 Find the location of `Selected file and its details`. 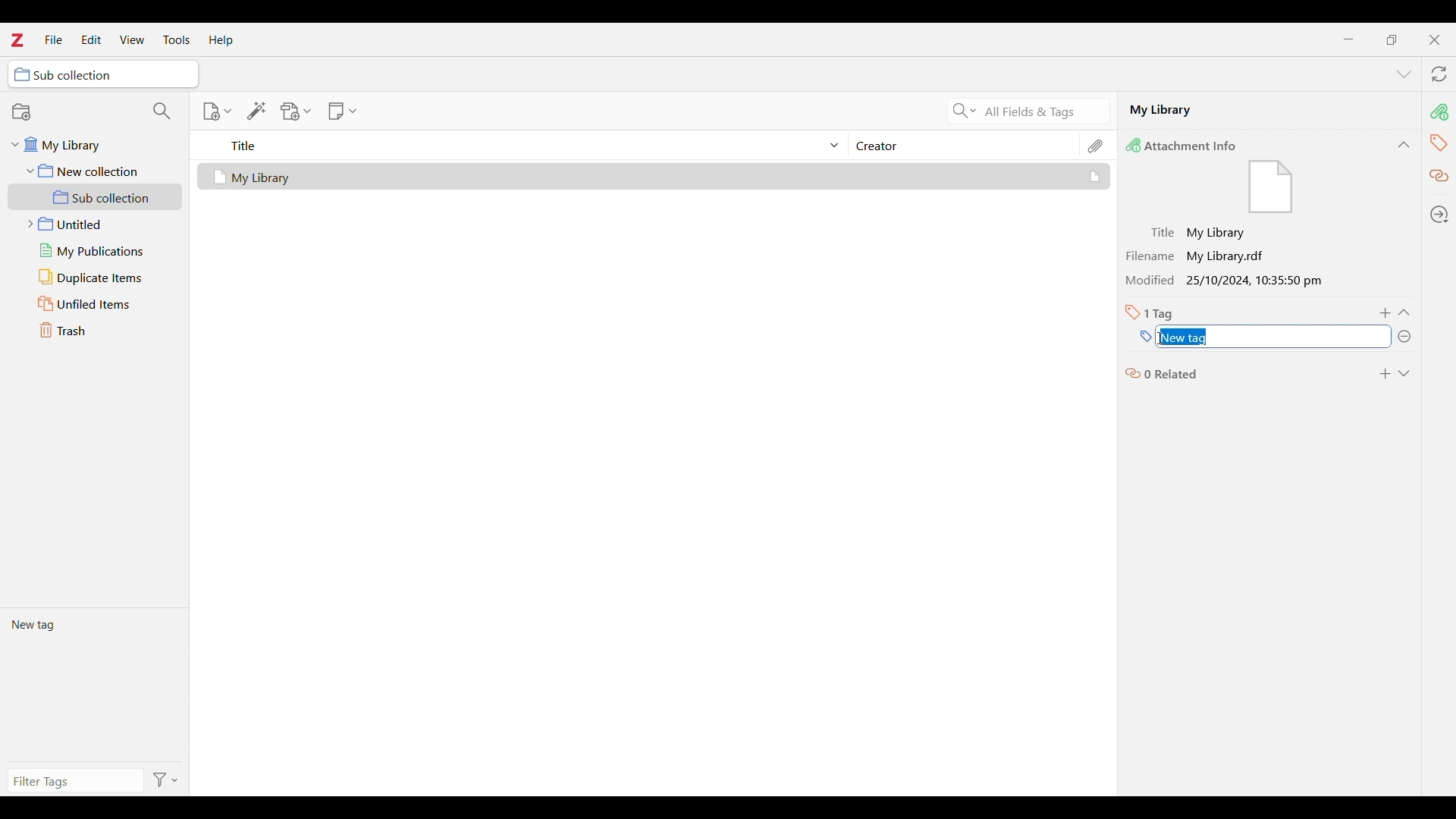

Selected file and its details is located at coordinates (654, 177).